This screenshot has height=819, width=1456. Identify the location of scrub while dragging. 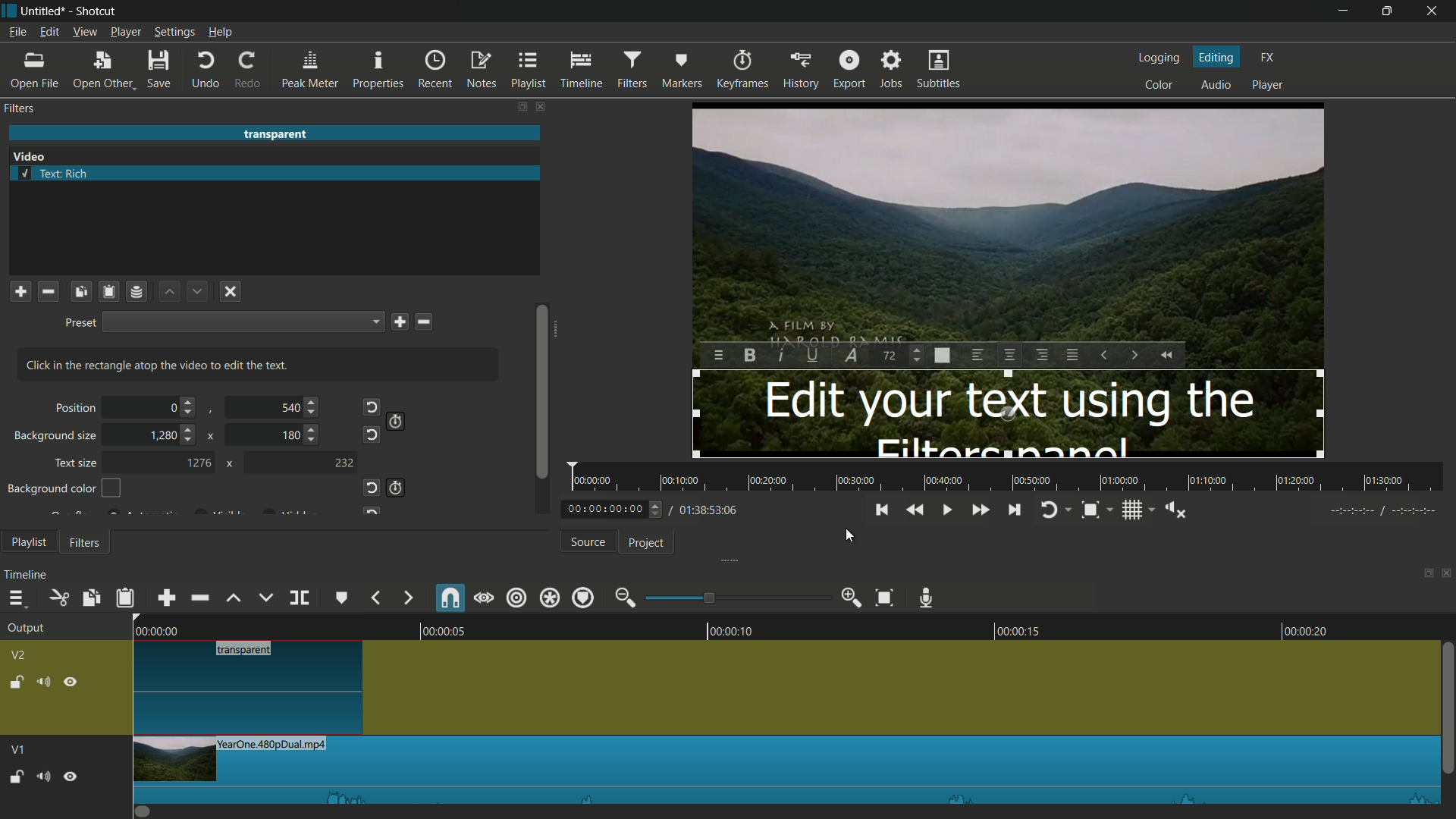
(485, 598).